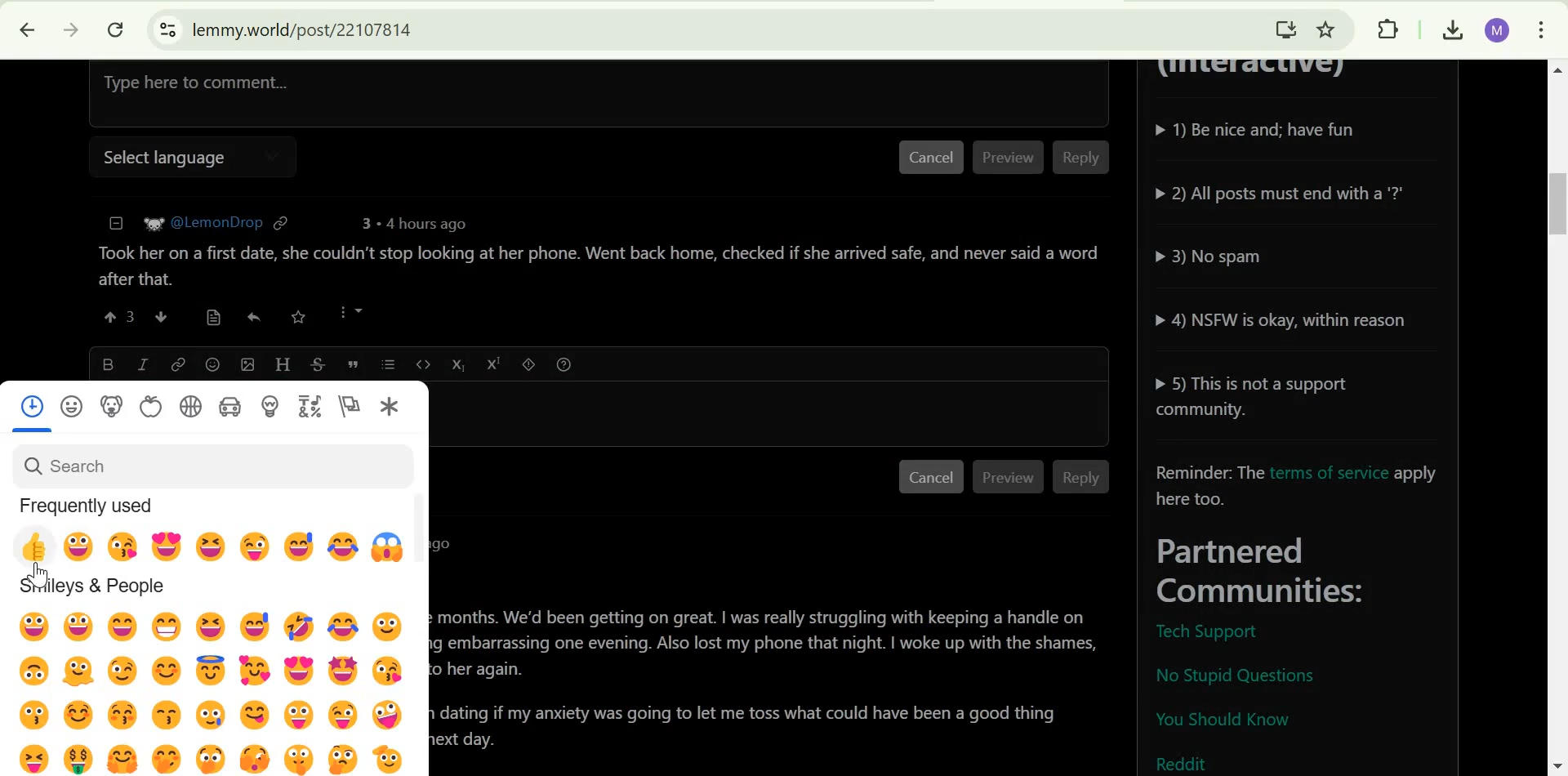 This screenshot has width=1568, height=776. I want to click on collapse, so click(114, 223).